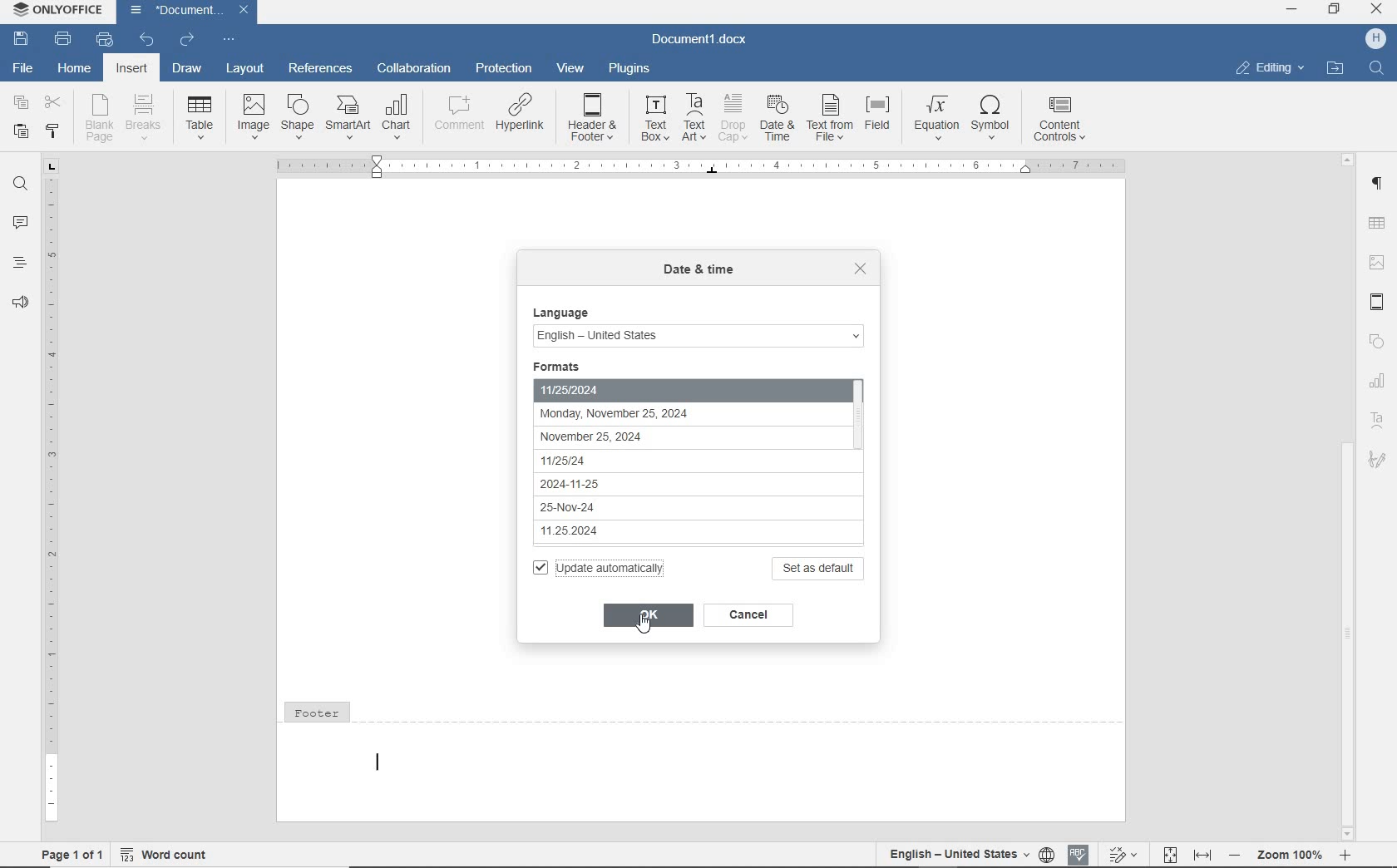 This screenshot has width=1397, height=868. Describe the element at coordinates (74, 70) in the screenshot. I see `home` at that location.